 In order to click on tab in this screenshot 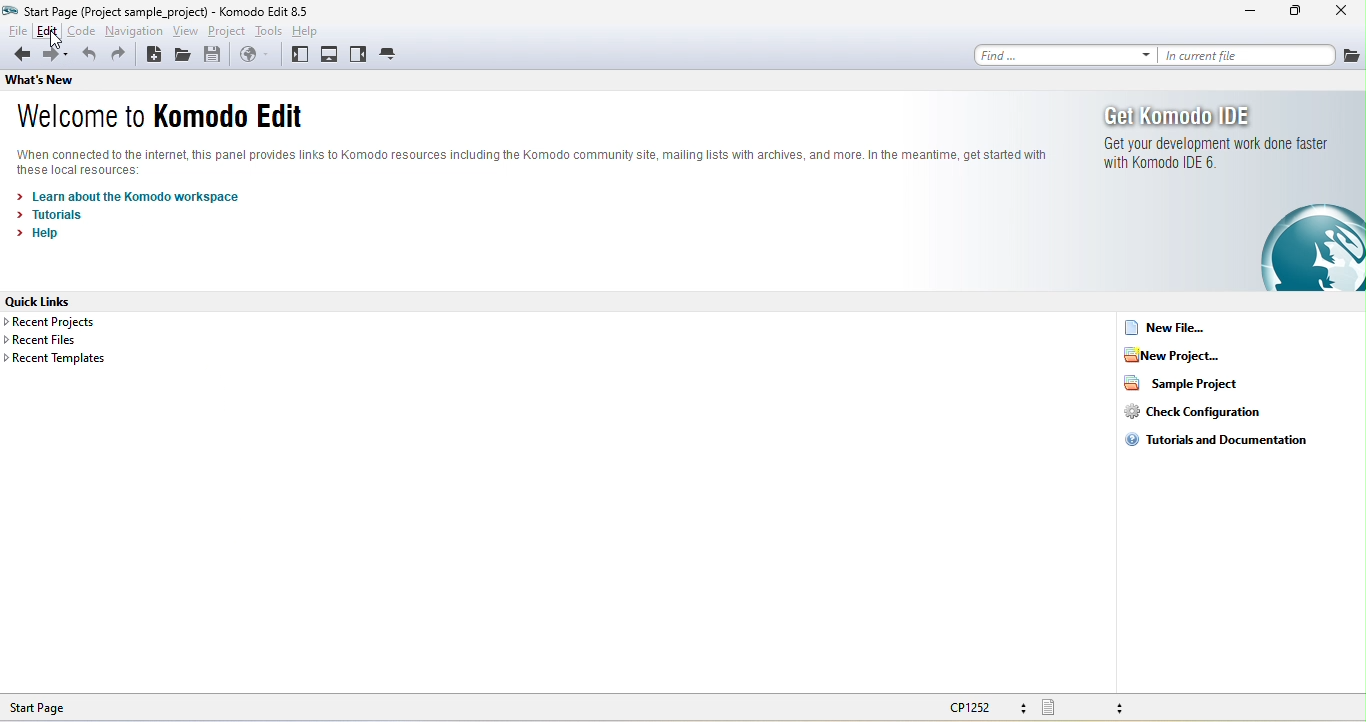, I will do `click(391, 54)`.